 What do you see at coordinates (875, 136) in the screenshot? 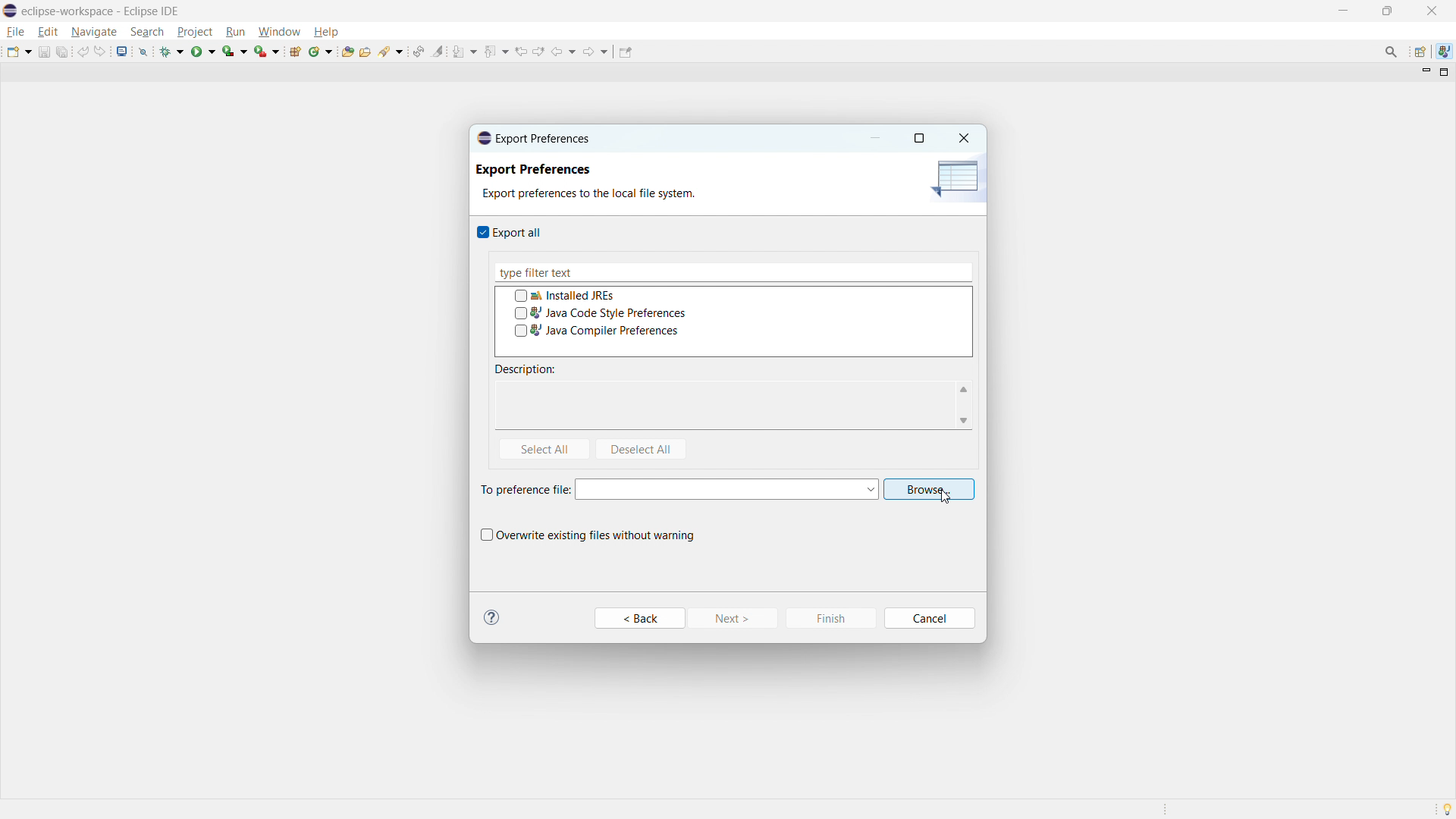
I see `minimize` at bounding box center [875, 136].